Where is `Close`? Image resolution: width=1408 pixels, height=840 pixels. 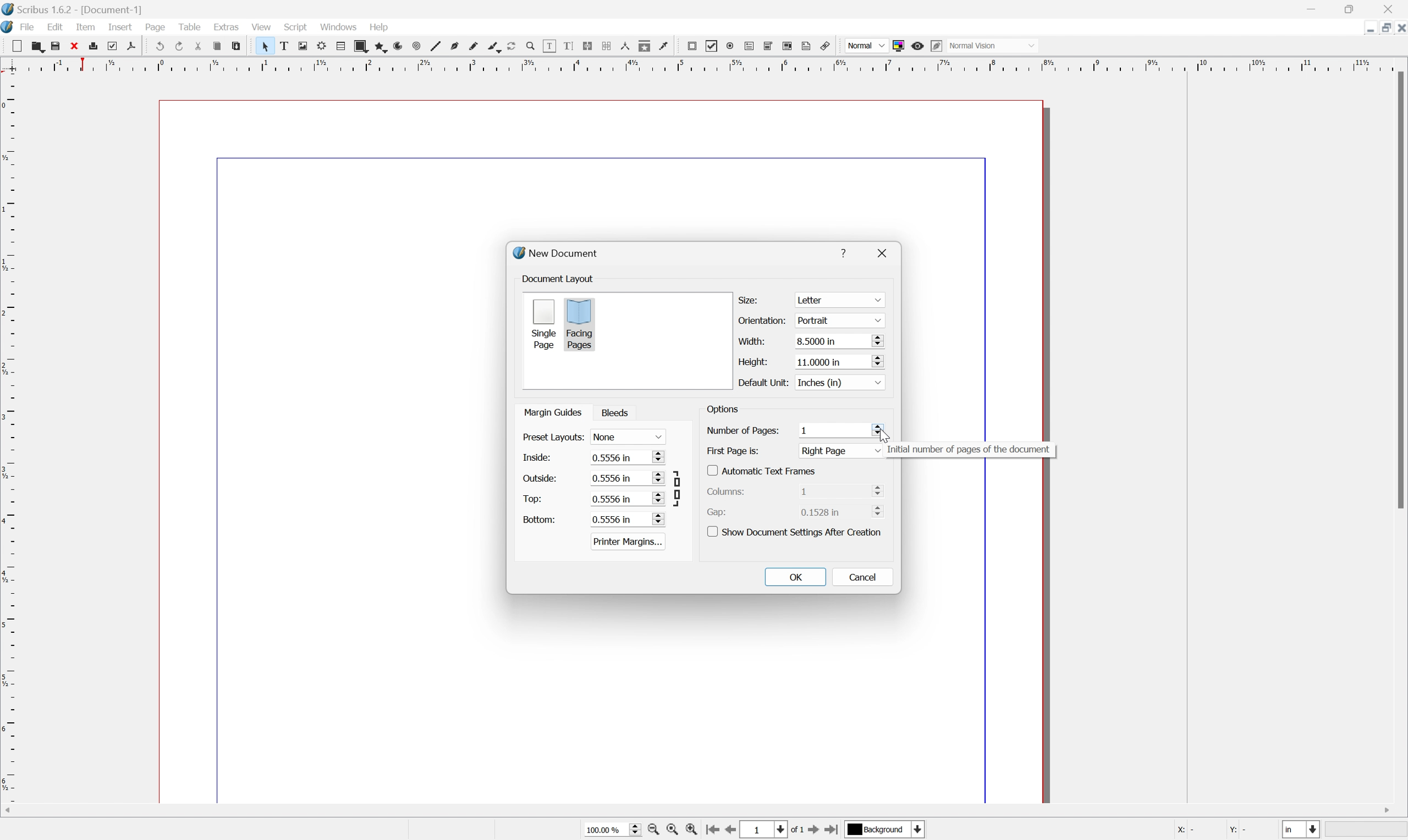 Close is located at coordinates (1399, 27).